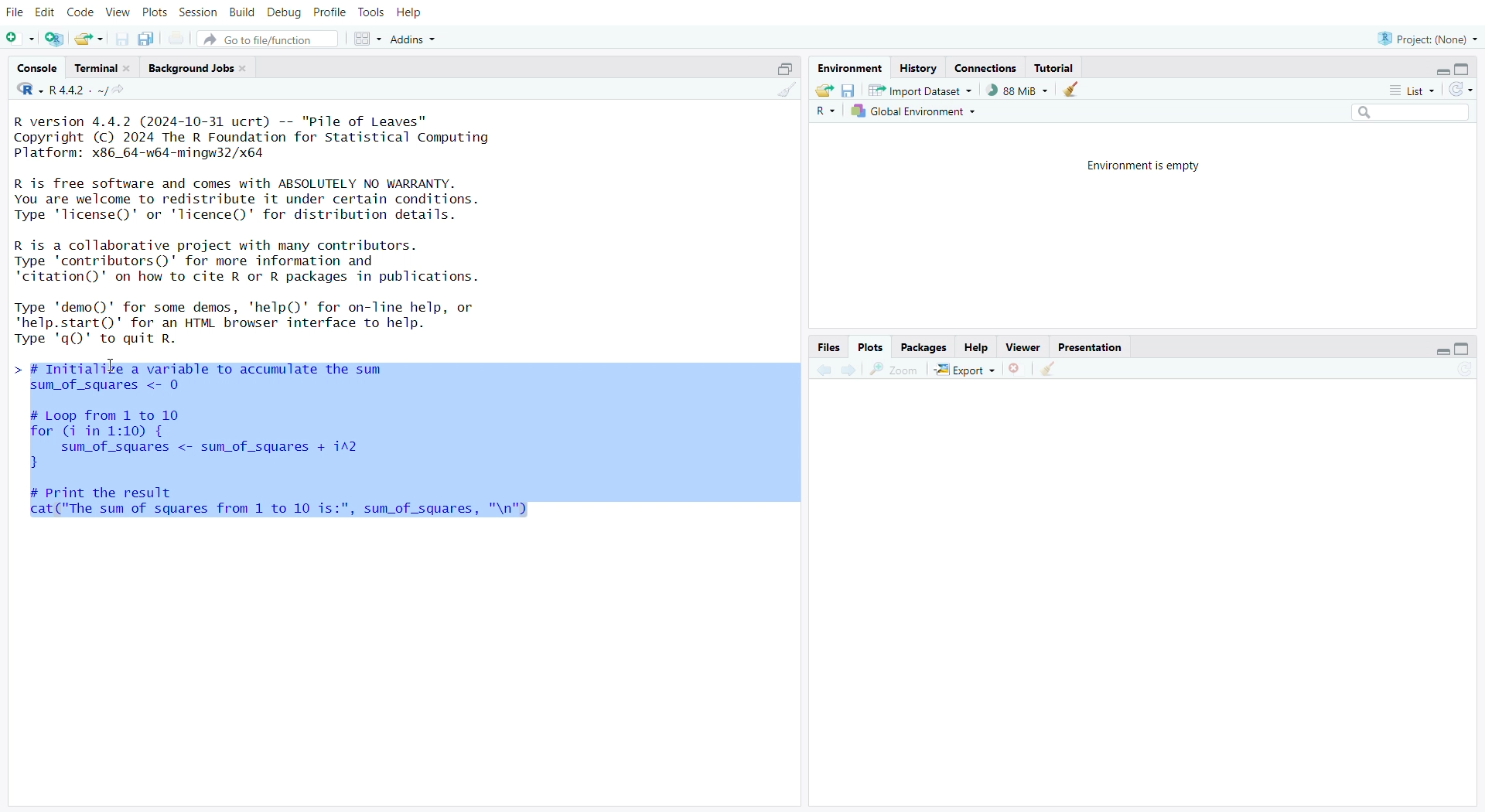 Image resolution: width=1485 pixels, height=812 pixels. What do you see at coordinates (894, 371) in the screenshot?
I see `zoom` at bounding box center [894, 371].